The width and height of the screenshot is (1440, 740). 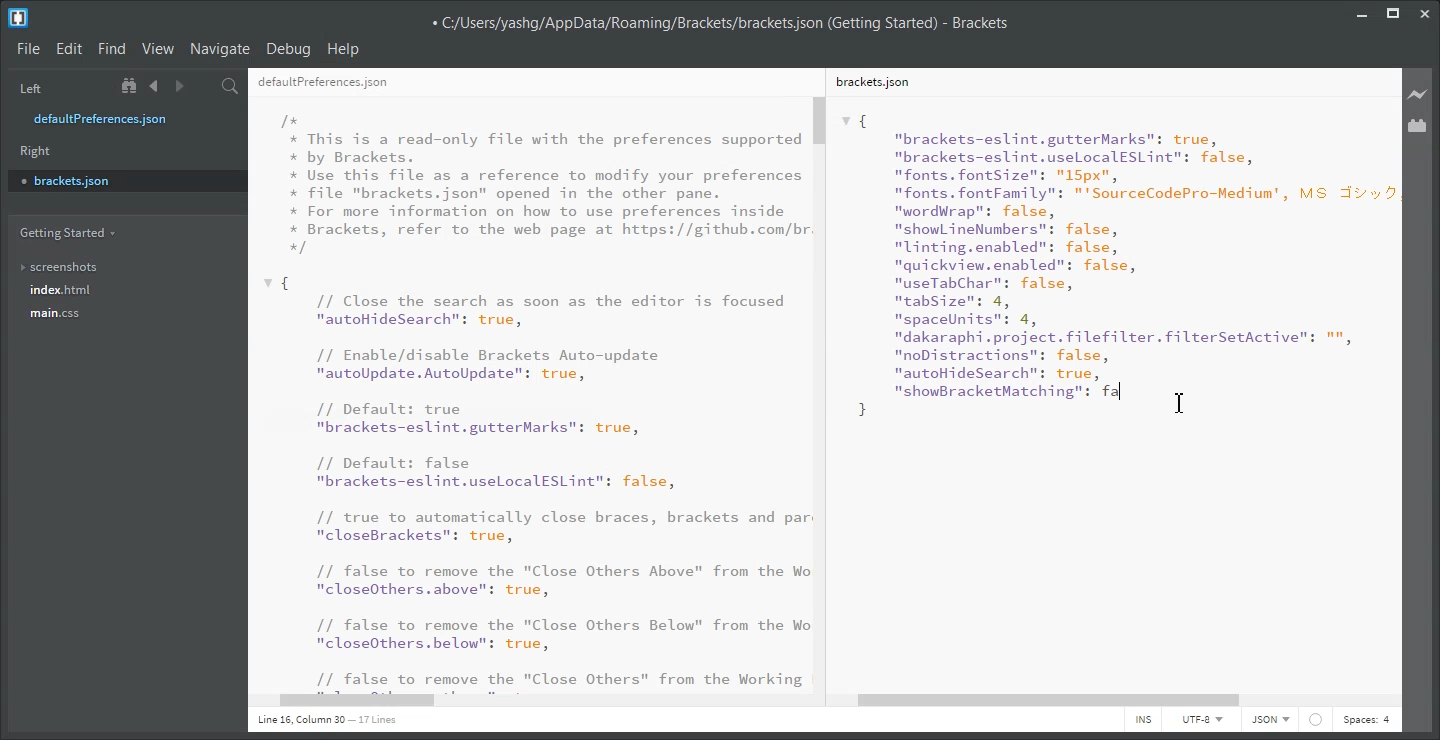 I want to click on Left, so click(x=28, y=87).